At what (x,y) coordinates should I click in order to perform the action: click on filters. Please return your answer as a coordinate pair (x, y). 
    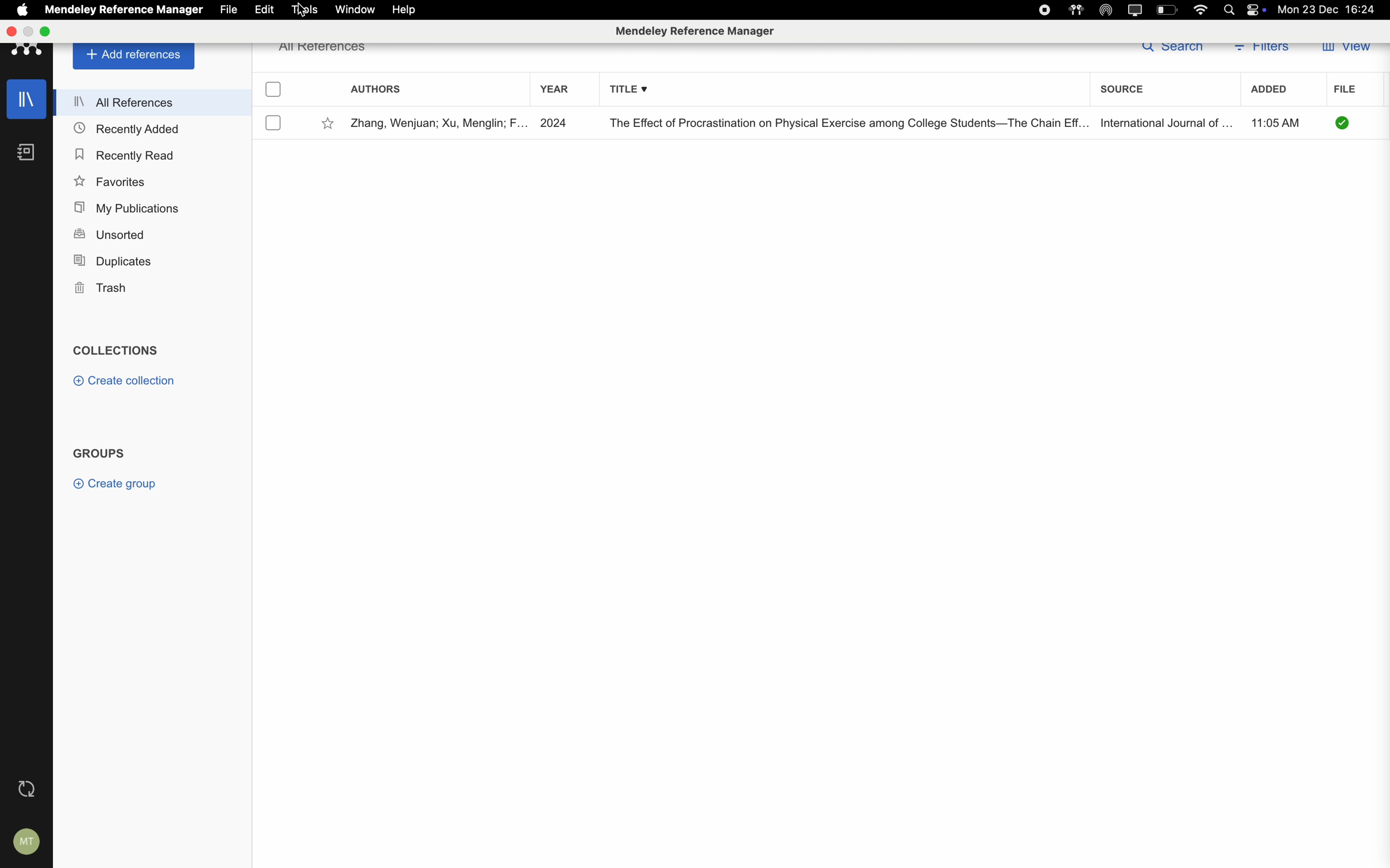
    Looking at the image, I should click on (1264, 49).